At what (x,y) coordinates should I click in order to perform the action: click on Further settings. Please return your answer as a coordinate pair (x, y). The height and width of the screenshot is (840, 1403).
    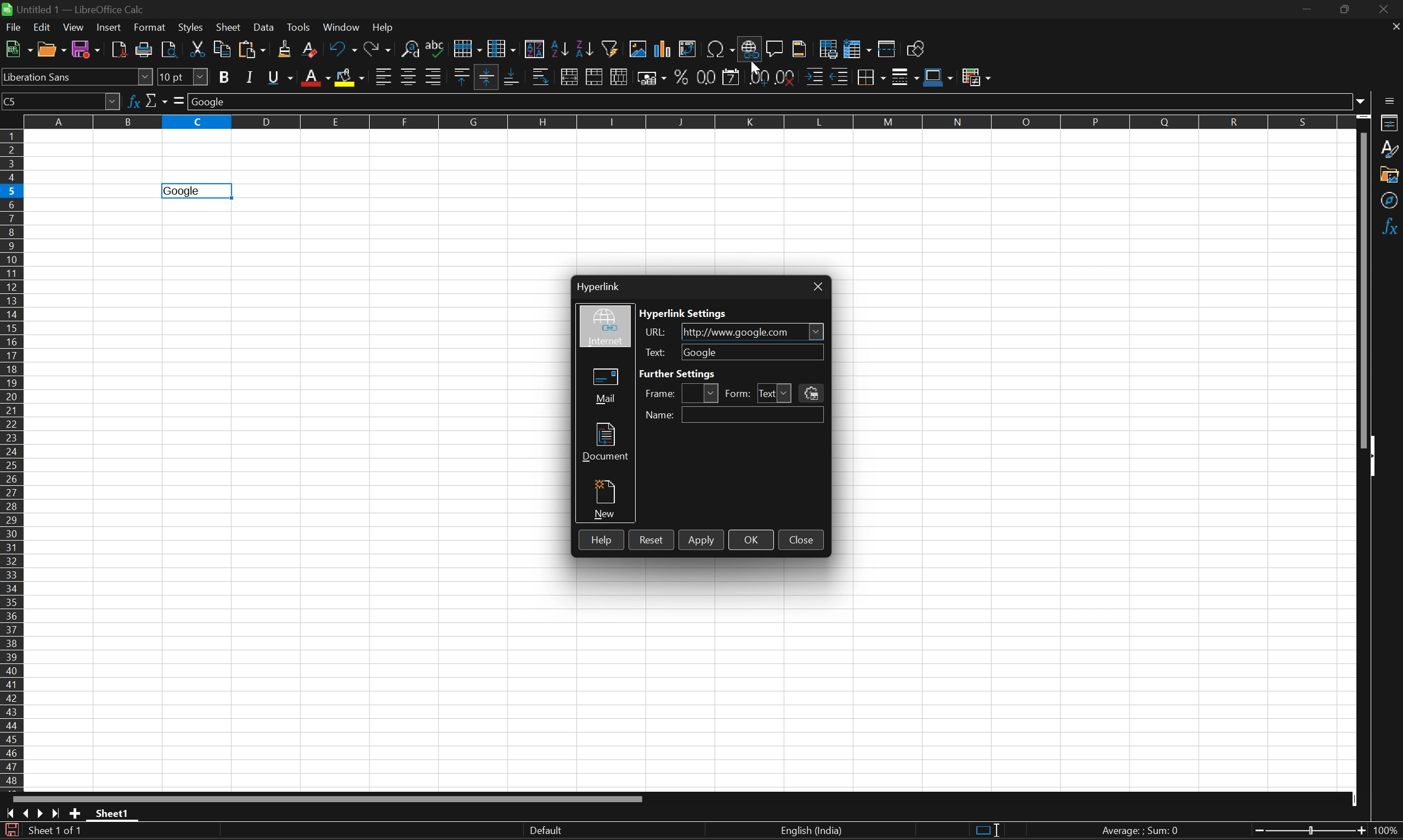
    Looking at the image, I should click on (677, 373).